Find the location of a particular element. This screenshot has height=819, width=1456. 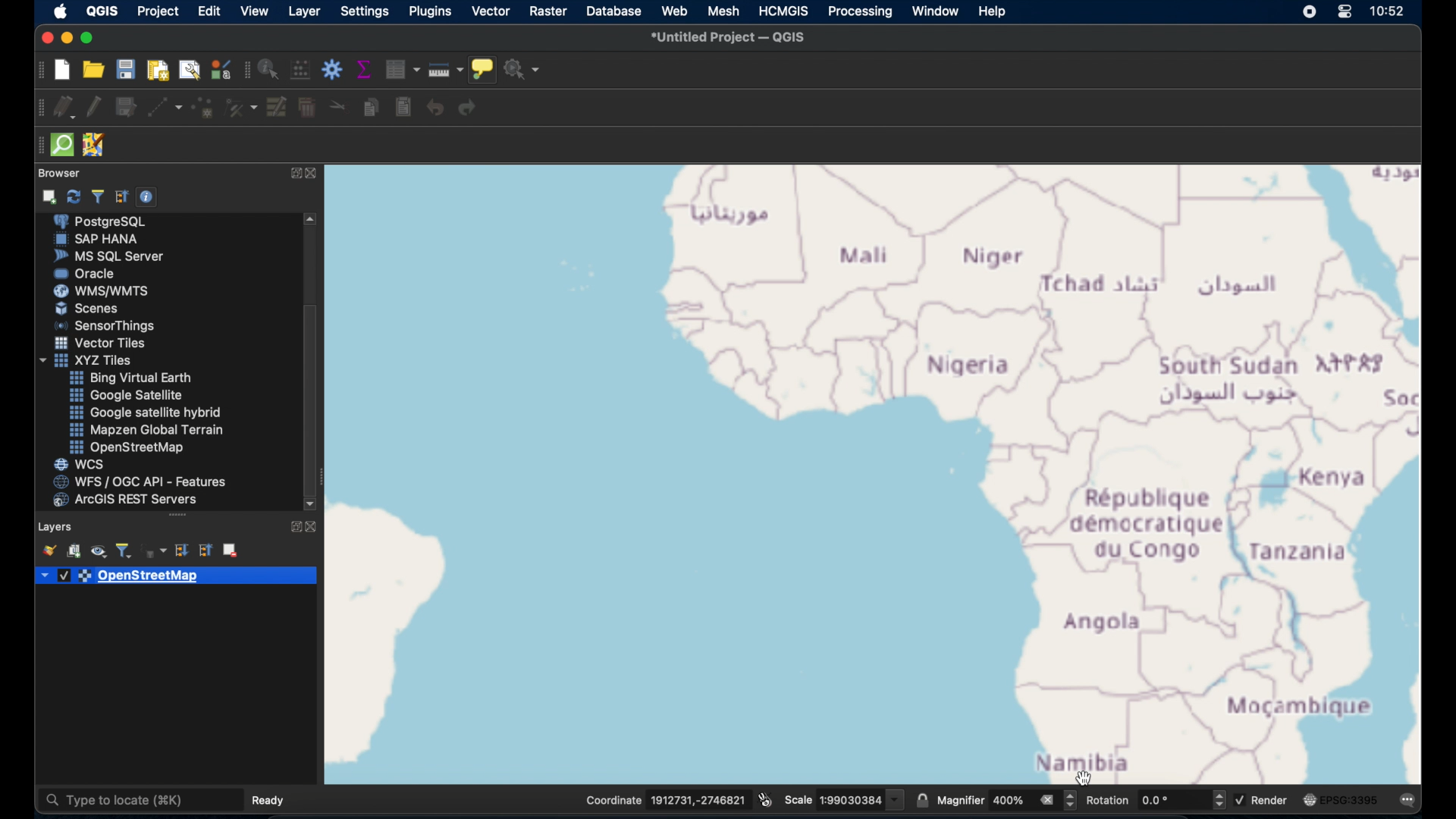

mesh is located at coordinates (723, 11).